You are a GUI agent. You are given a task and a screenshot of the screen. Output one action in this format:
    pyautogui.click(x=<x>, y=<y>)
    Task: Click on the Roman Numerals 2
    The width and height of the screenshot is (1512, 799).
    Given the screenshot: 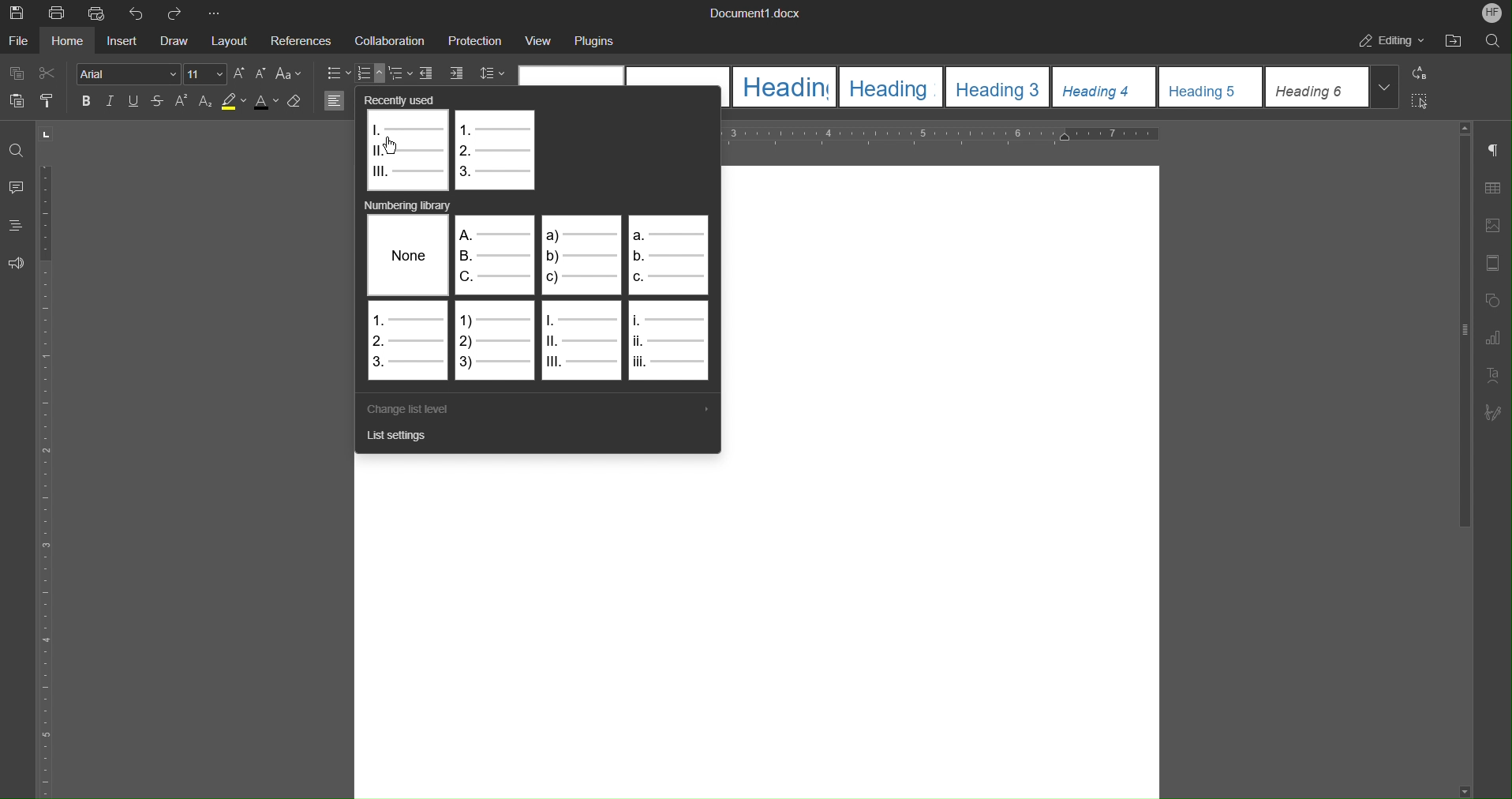 What is the action you would take?
    pyautogui.click(x=668, y=341)
    